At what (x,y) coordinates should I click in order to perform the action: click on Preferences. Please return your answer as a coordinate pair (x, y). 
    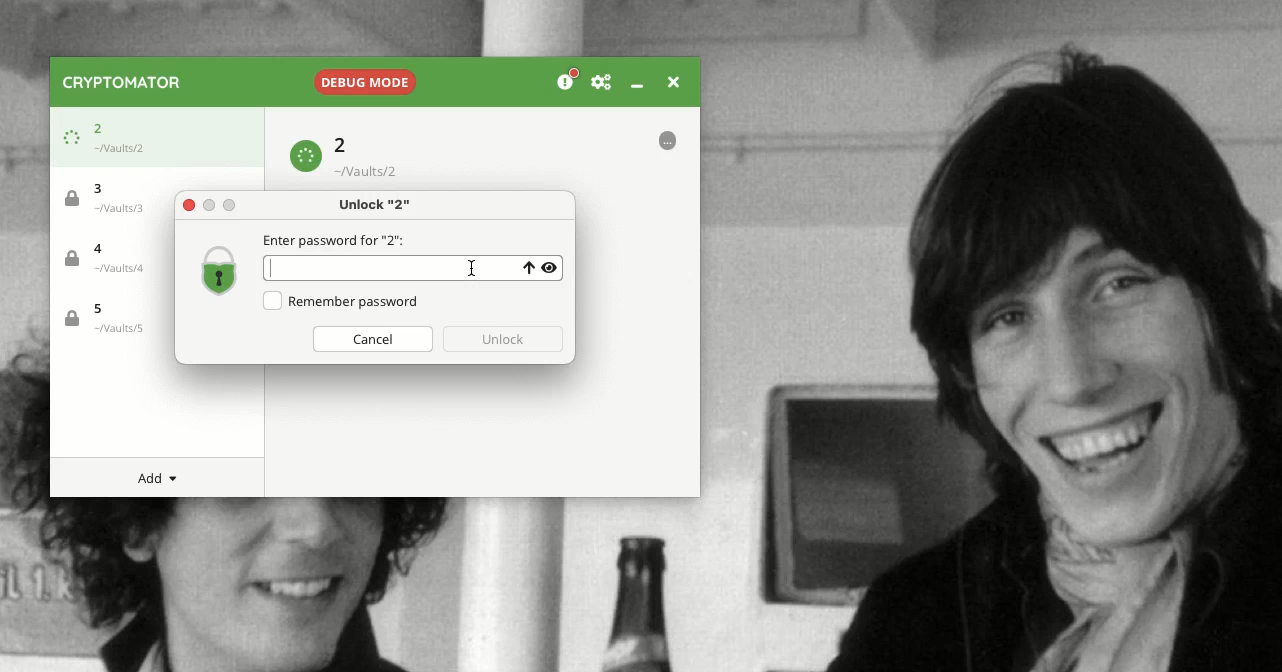
    Looking at the image, I should click on (601, 83).